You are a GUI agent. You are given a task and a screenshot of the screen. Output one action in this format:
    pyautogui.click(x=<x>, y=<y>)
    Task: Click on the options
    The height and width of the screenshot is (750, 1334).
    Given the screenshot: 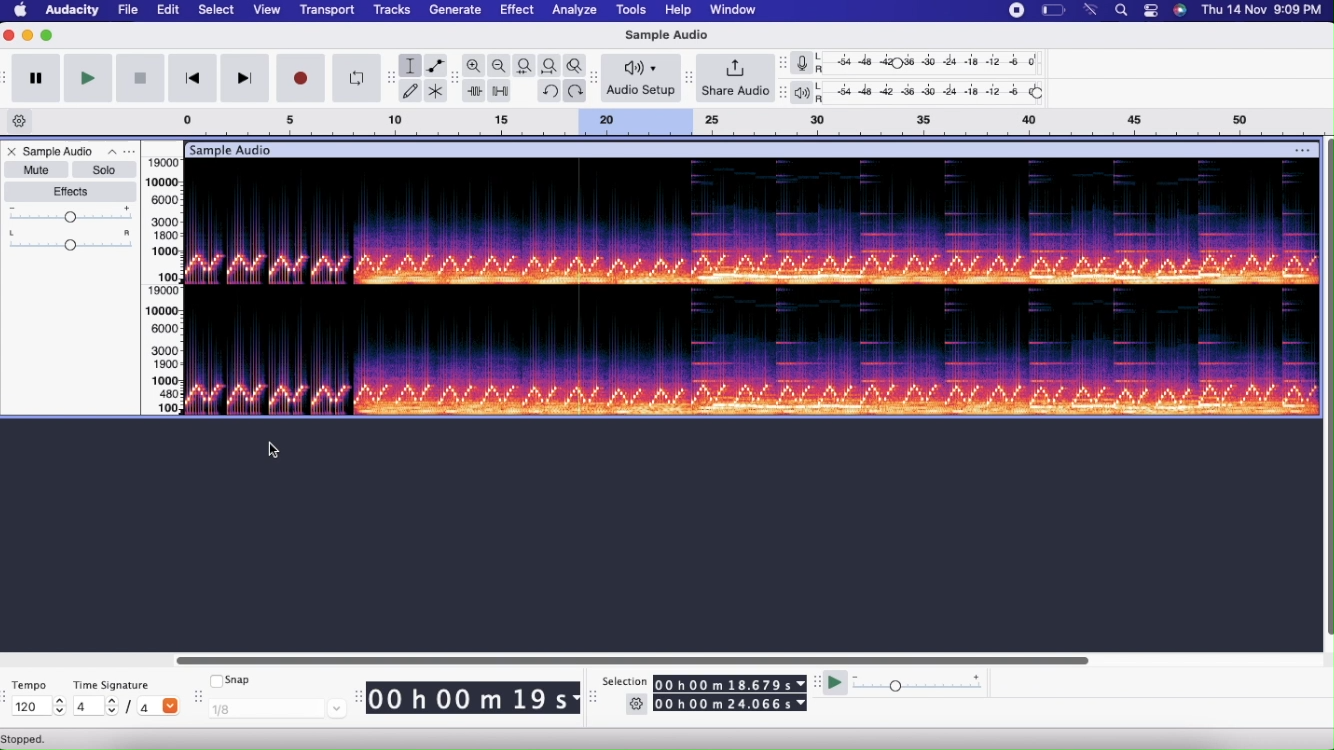 What is the action you would take?
    pyautogui.click(x=1300, y=151)
    